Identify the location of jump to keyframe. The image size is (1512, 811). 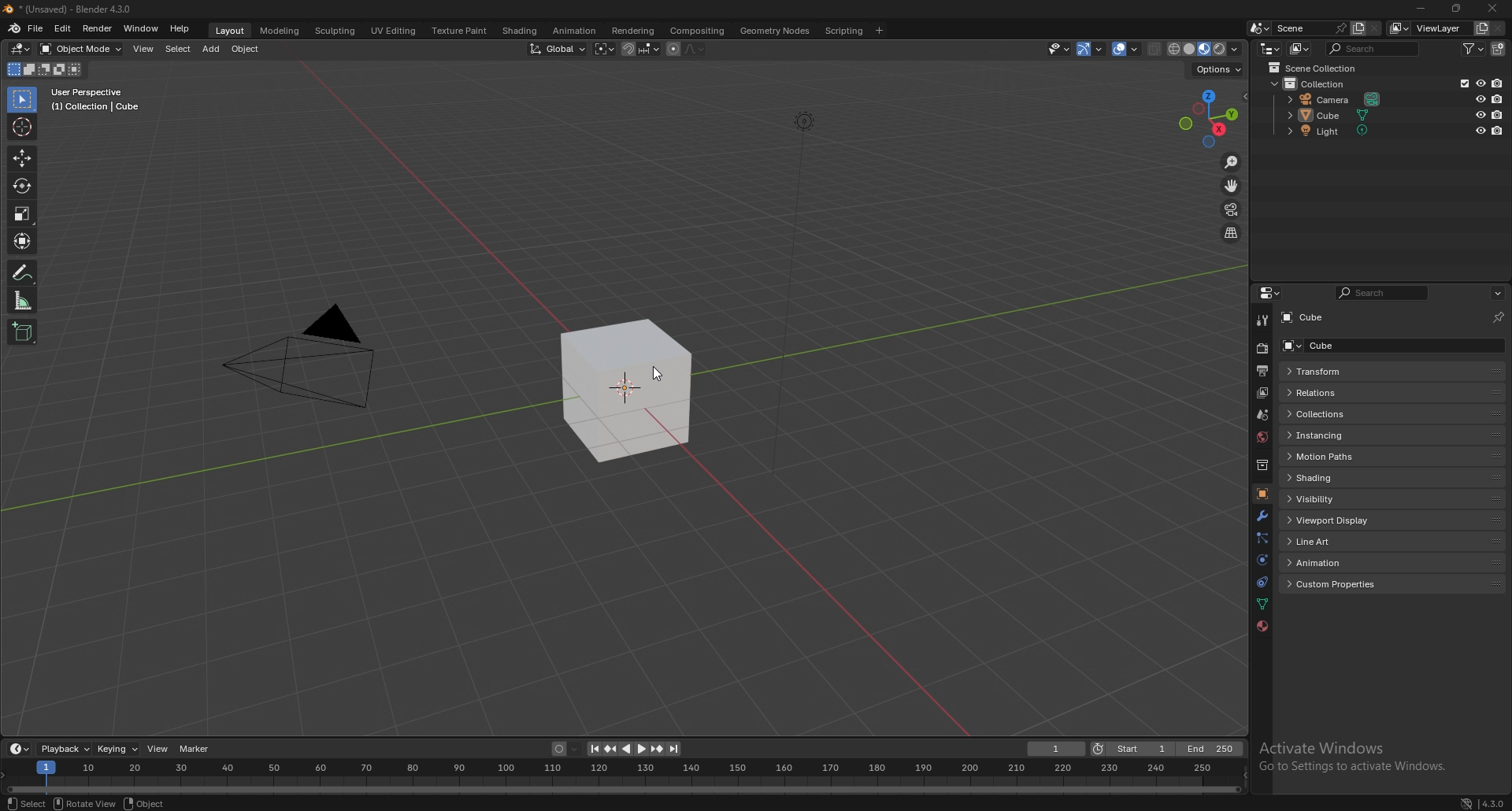
(658, 749).